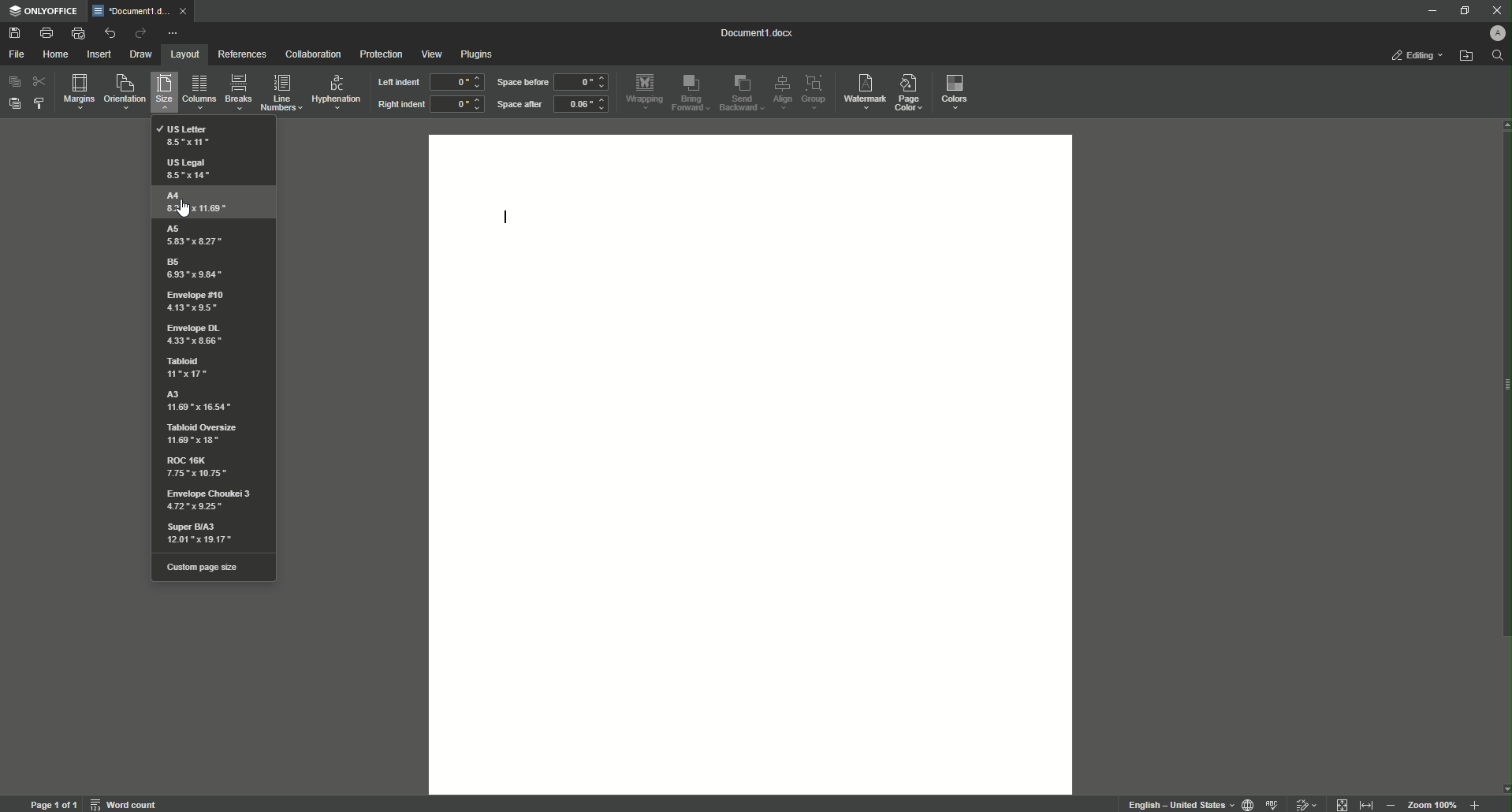  Describe the element at coordinates (123, 93) in the screenshot. I see `Orientation` at that location.